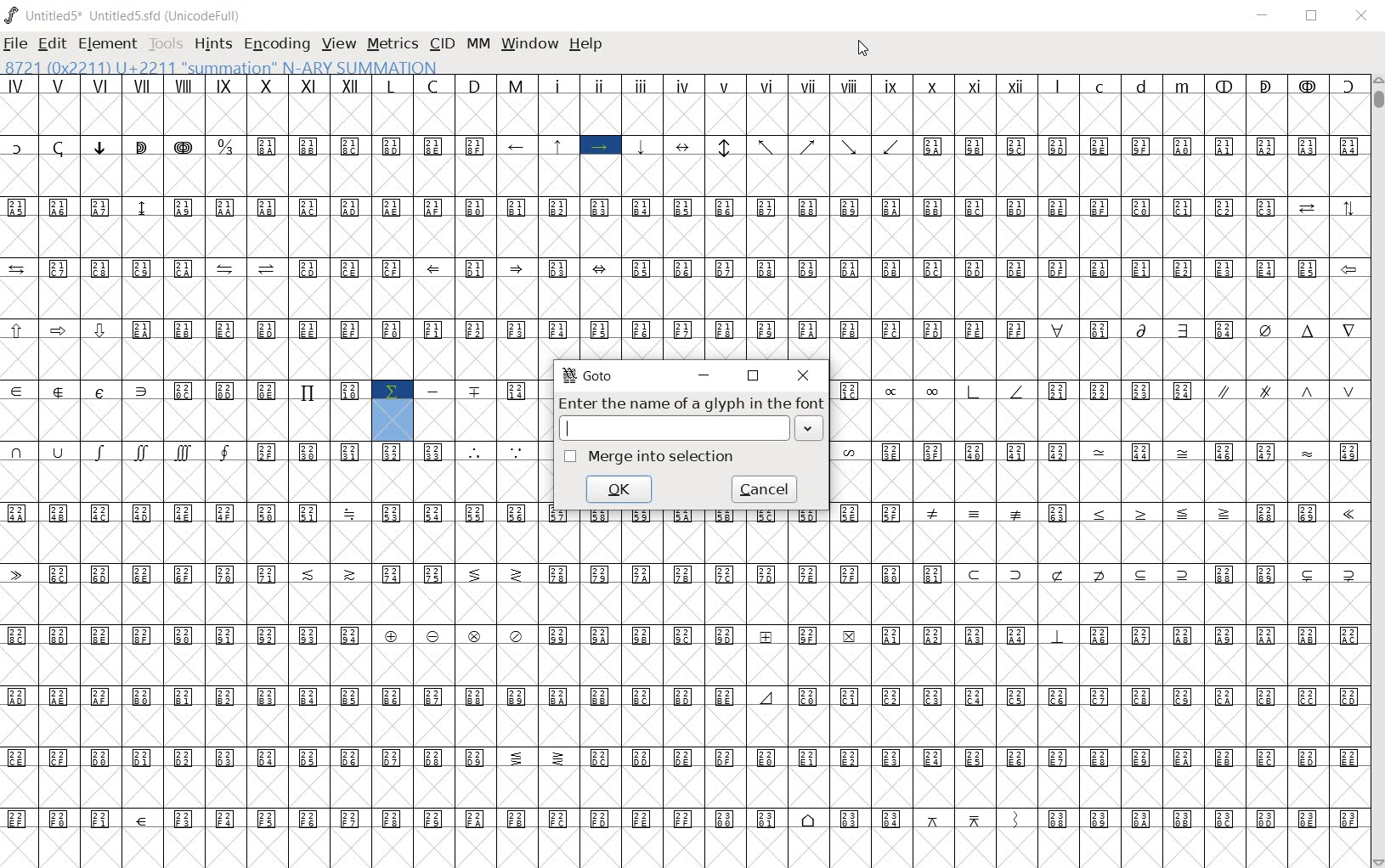 Image resolution: width=1385 pixels, height=868 pixels. I want to click on , so click(1100, 389).